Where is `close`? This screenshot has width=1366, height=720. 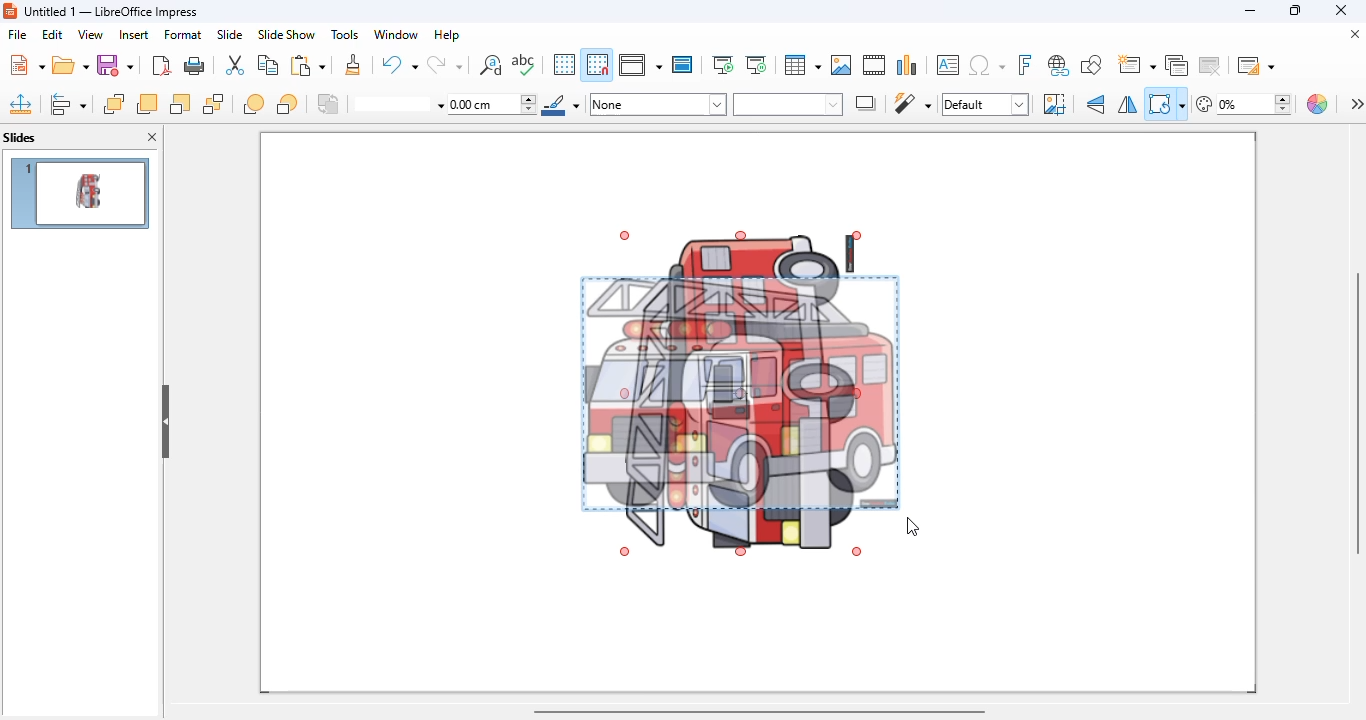 close is located at coordinates (1340, 10).